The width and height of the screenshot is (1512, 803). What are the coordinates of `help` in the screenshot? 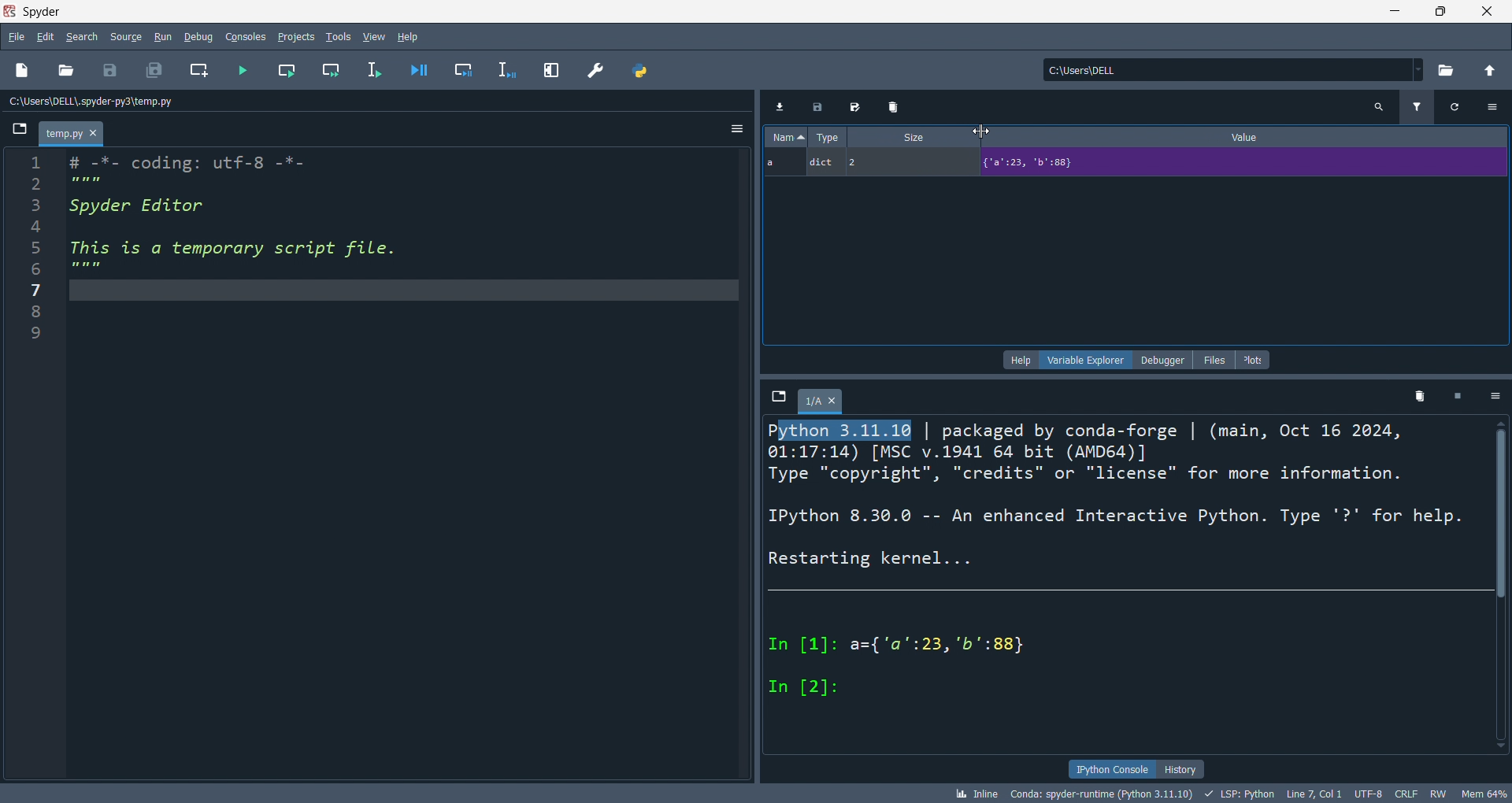 It's located at (1017, 360).